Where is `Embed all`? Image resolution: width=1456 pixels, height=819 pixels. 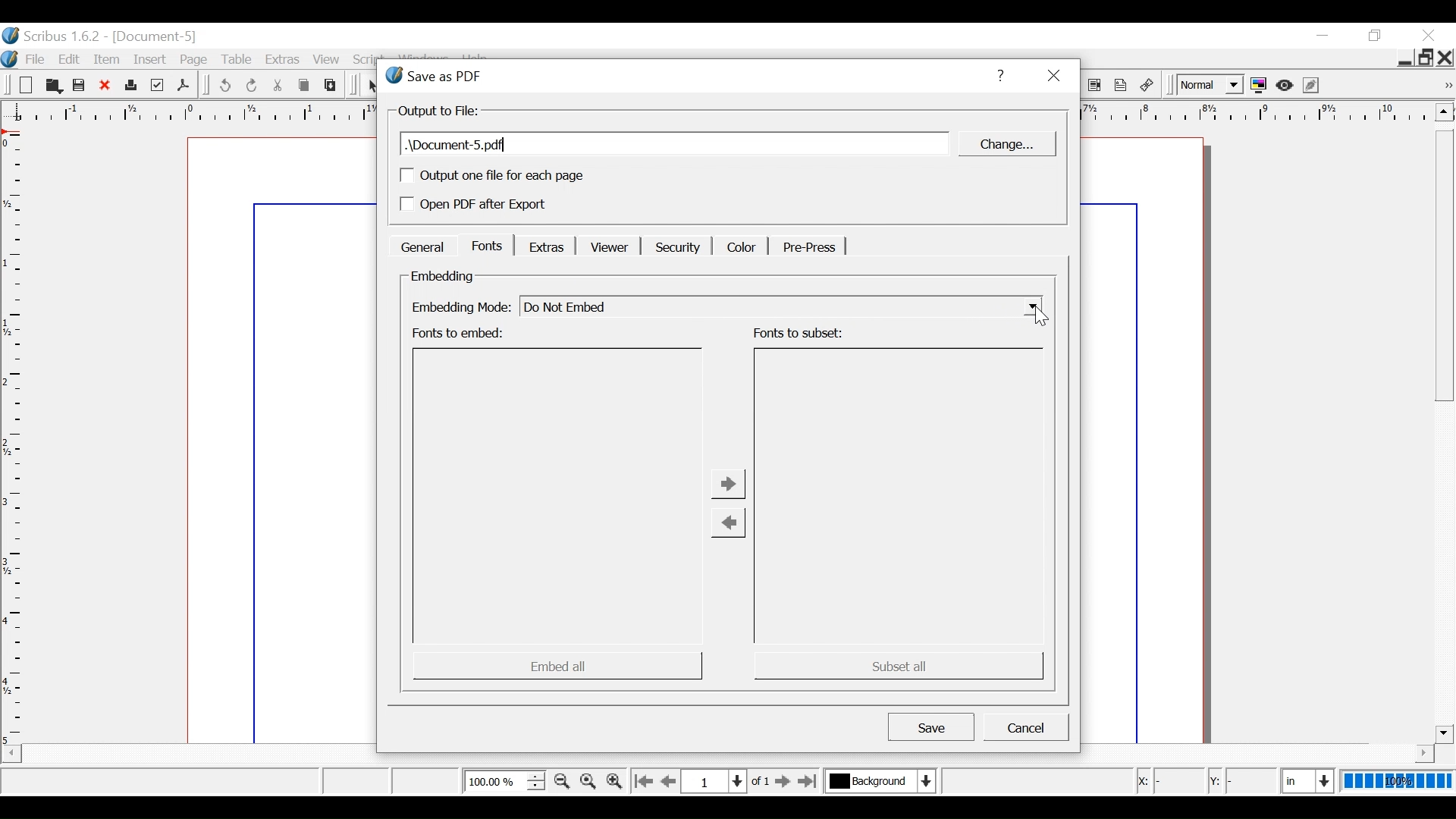
Embed all is located at coordinates (558, 665).